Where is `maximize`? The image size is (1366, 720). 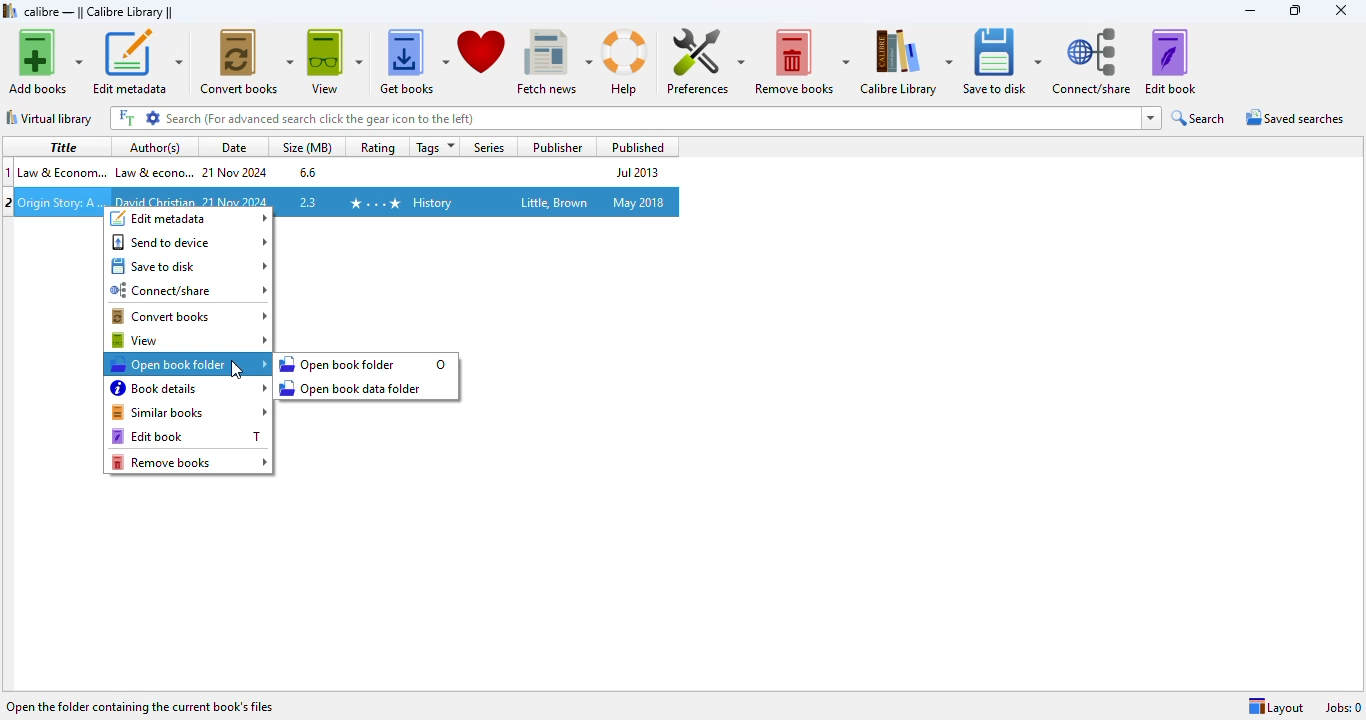
maximize is located at coordinates (1294, 10).